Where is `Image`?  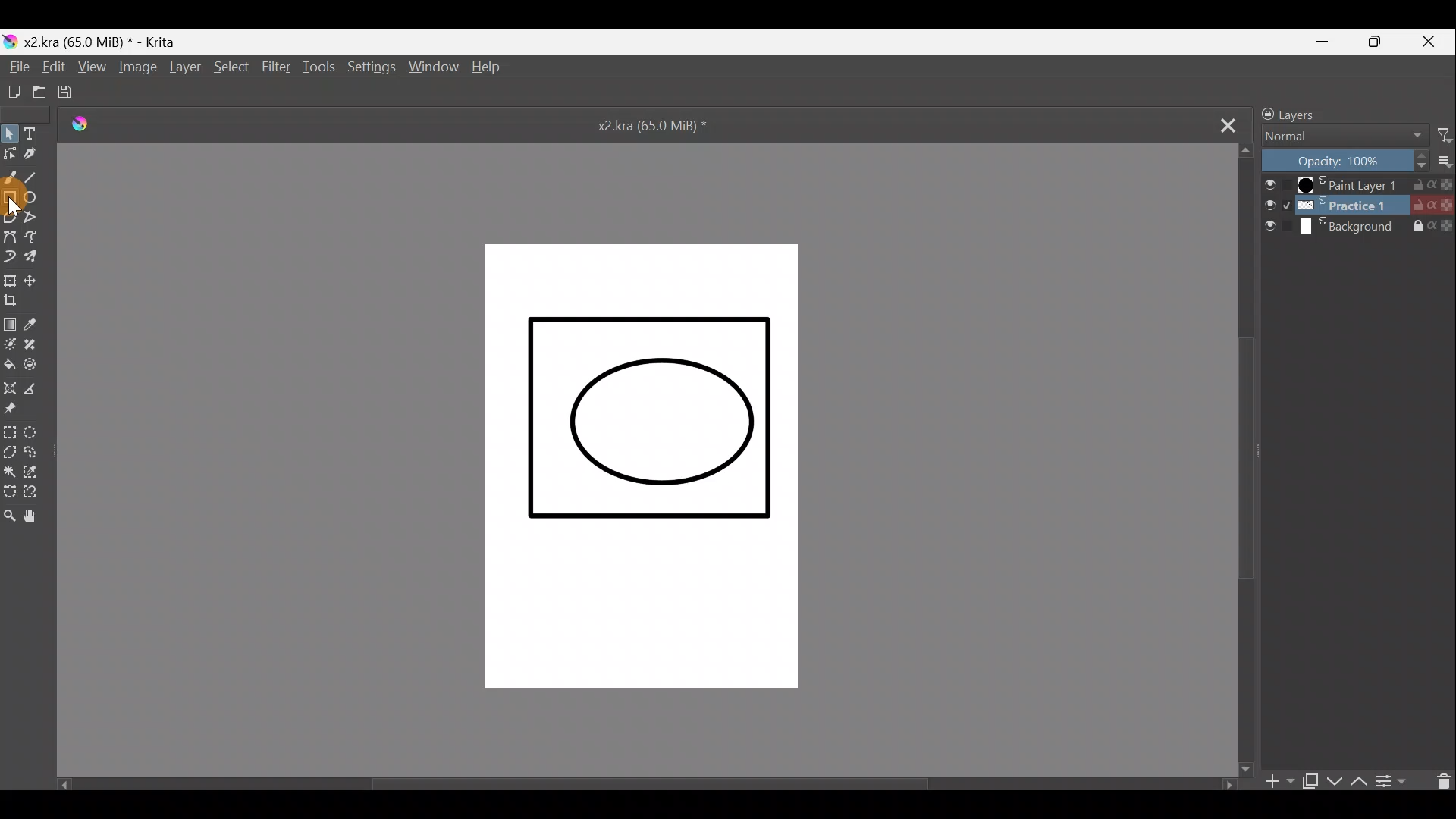
Image is located at coordinates (135, 68).